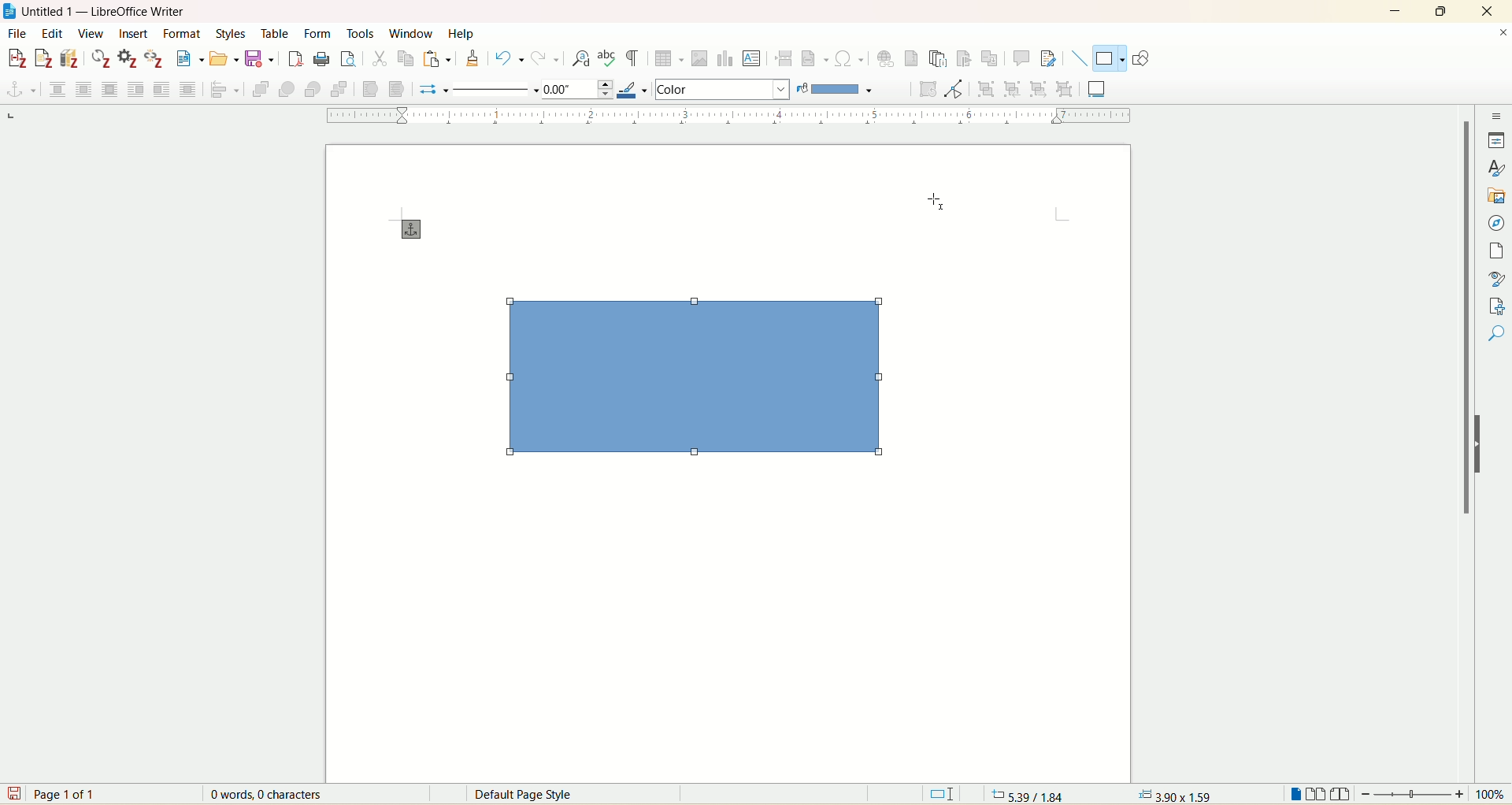 The image size is (1512, 805). I want to click on print preview, so click(349, 58).